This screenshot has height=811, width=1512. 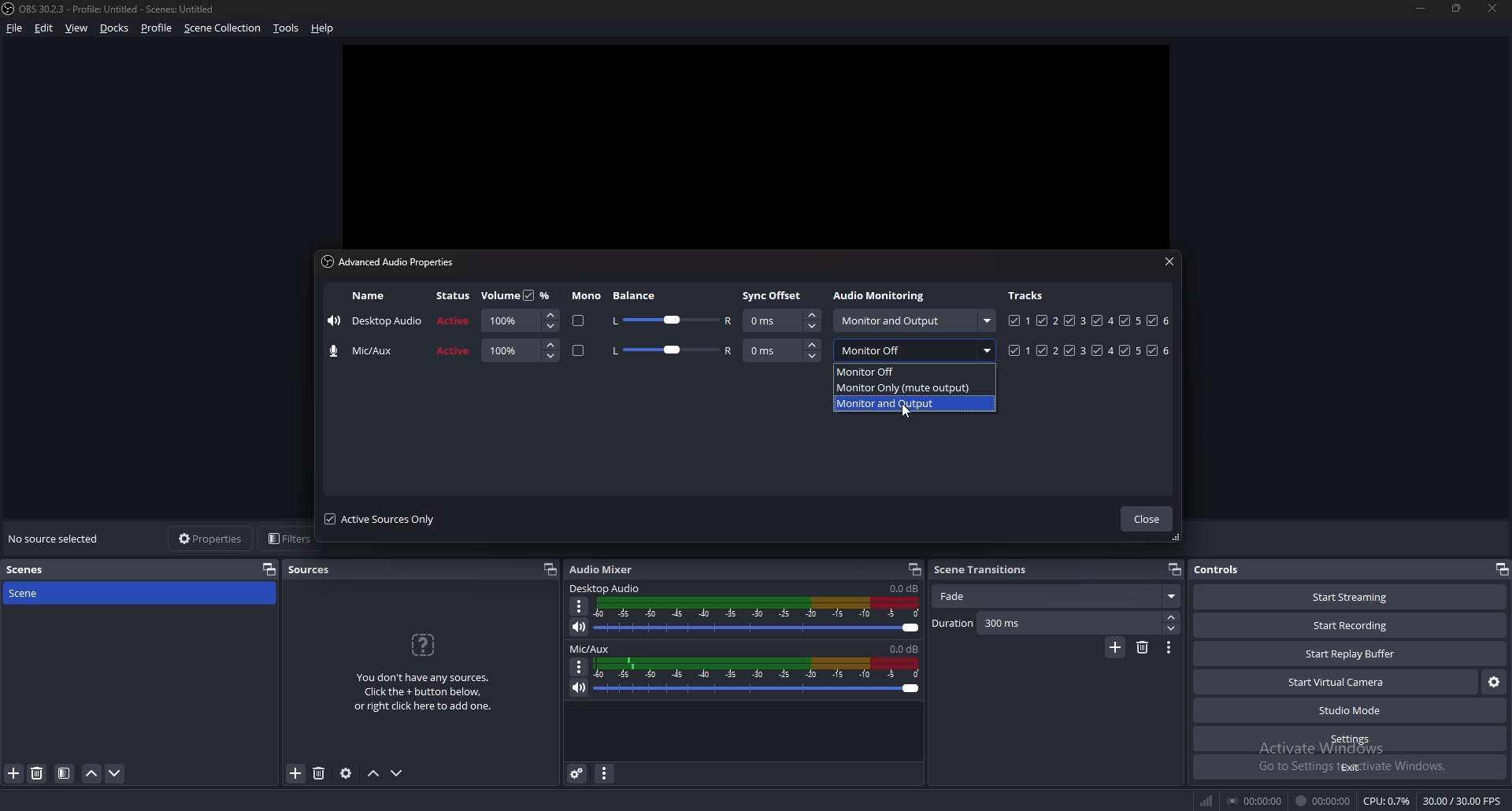 I want to click on 30.00/ 30.00 FPS, so click(x=1465, y=800).